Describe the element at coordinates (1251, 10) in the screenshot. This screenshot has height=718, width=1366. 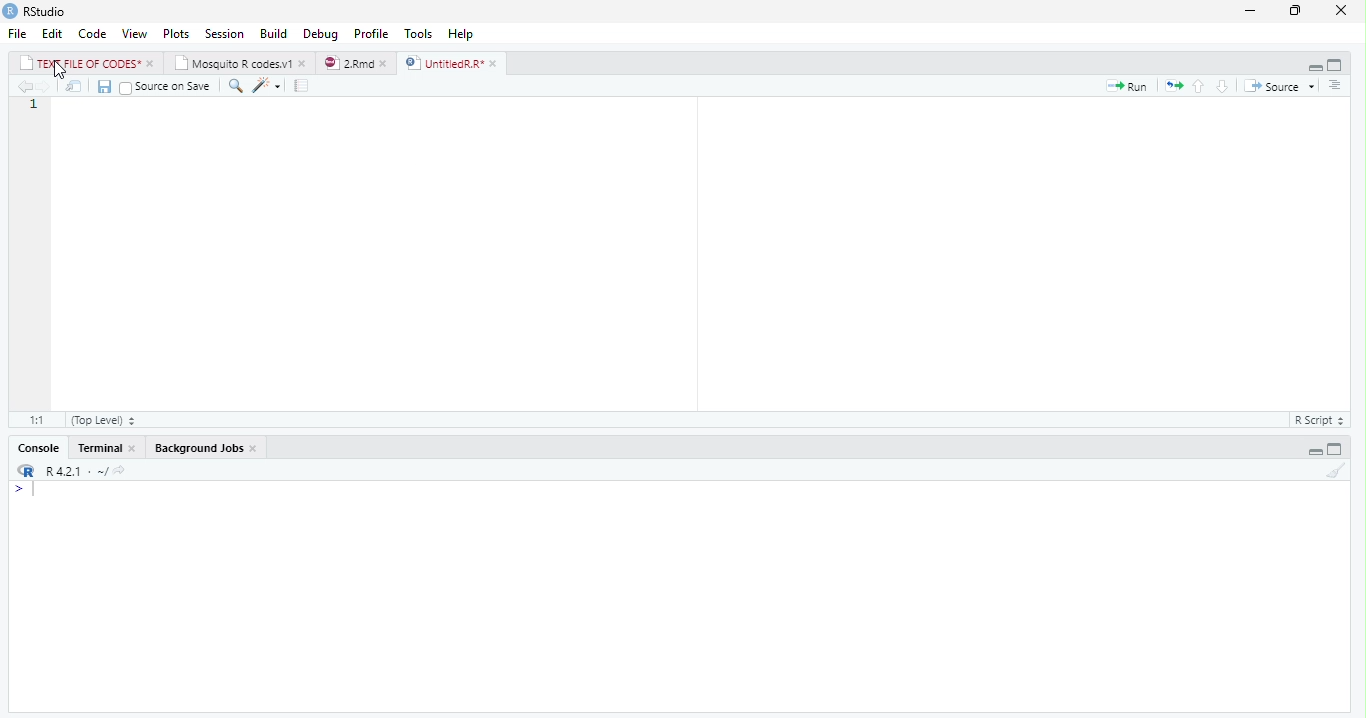
I see `Minimize` at that location.